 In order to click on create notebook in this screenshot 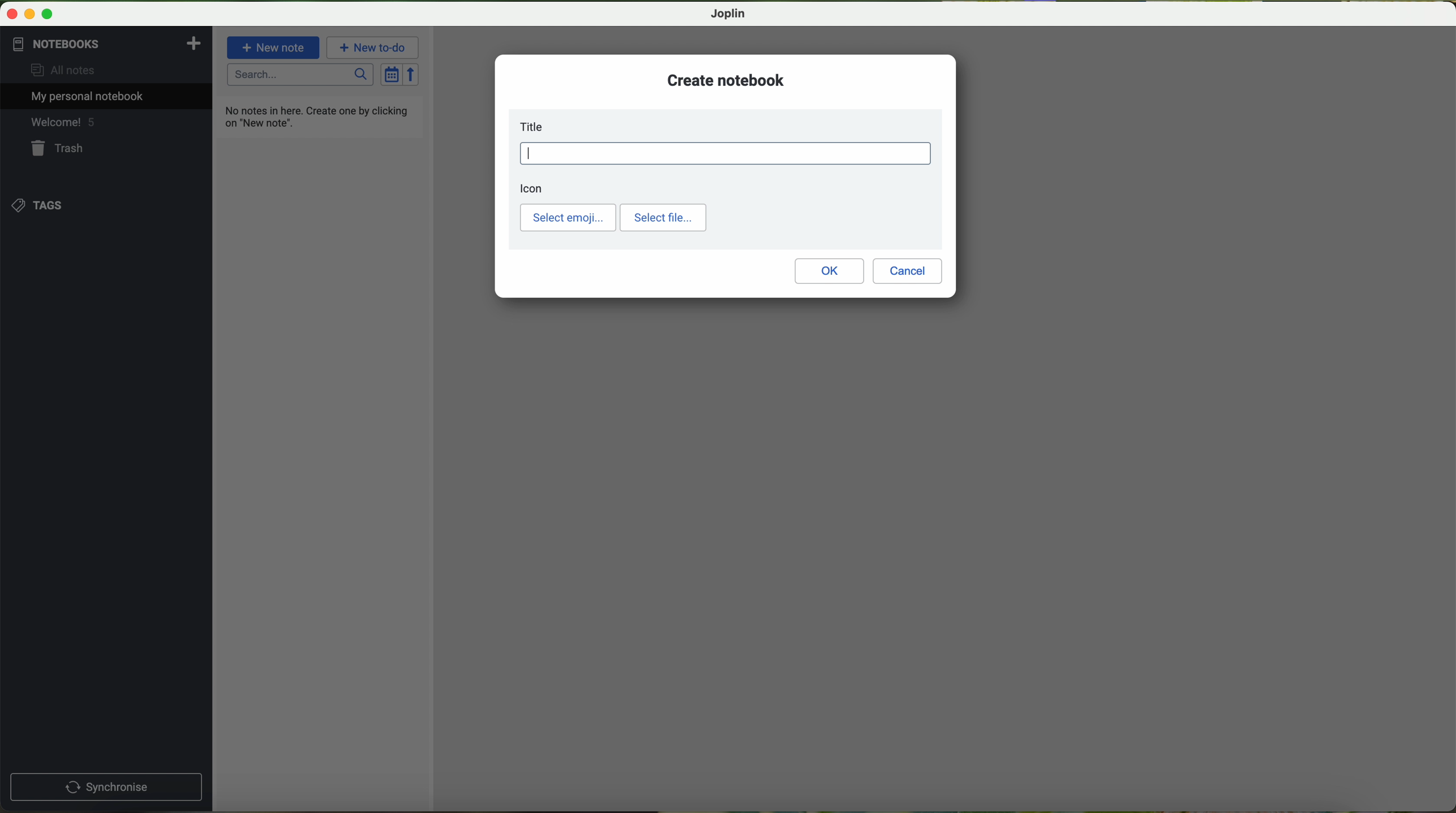, I will do `click(726, 80)`.